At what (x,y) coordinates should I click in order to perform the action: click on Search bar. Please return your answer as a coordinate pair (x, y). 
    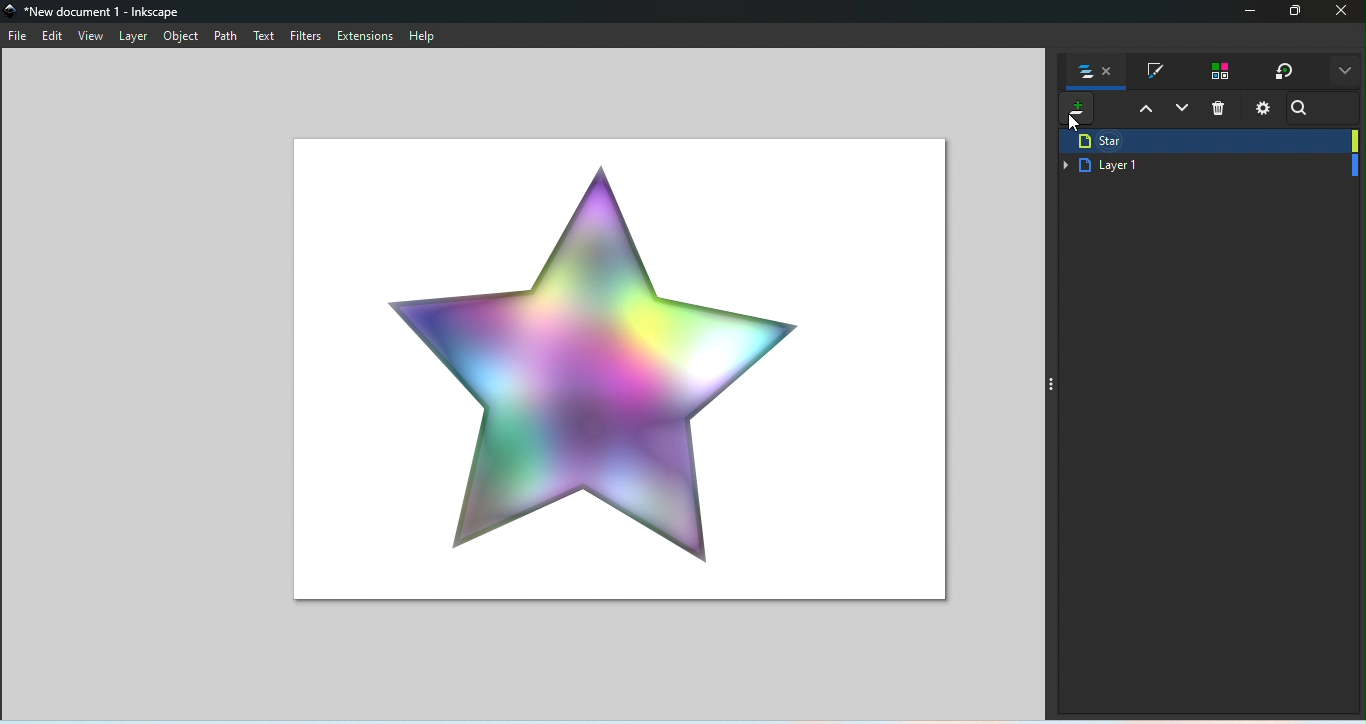
    Looking at the image, I should click on (1305, 108).